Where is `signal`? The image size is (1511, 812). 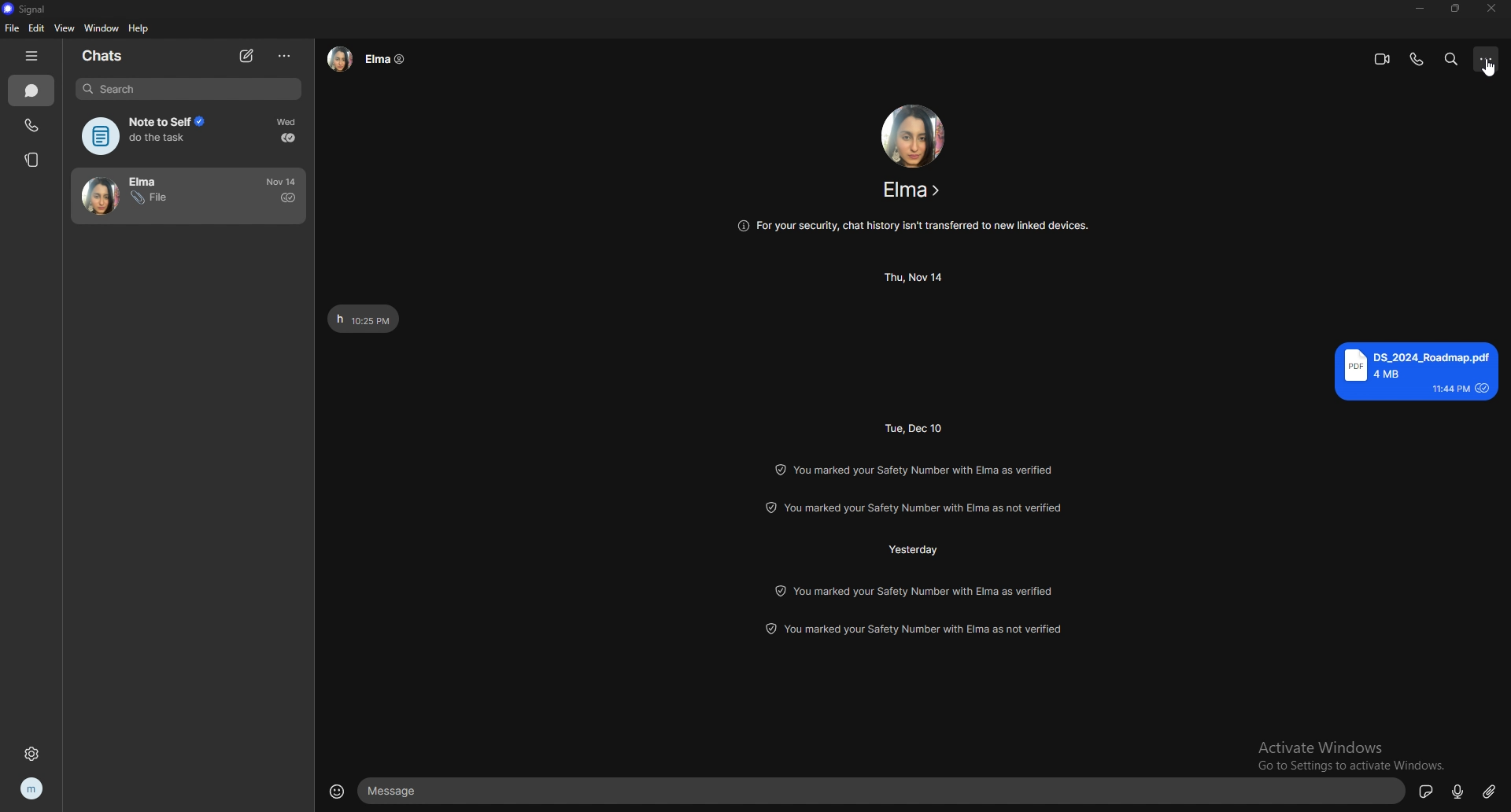
signal is located at coordinates (33, 8).